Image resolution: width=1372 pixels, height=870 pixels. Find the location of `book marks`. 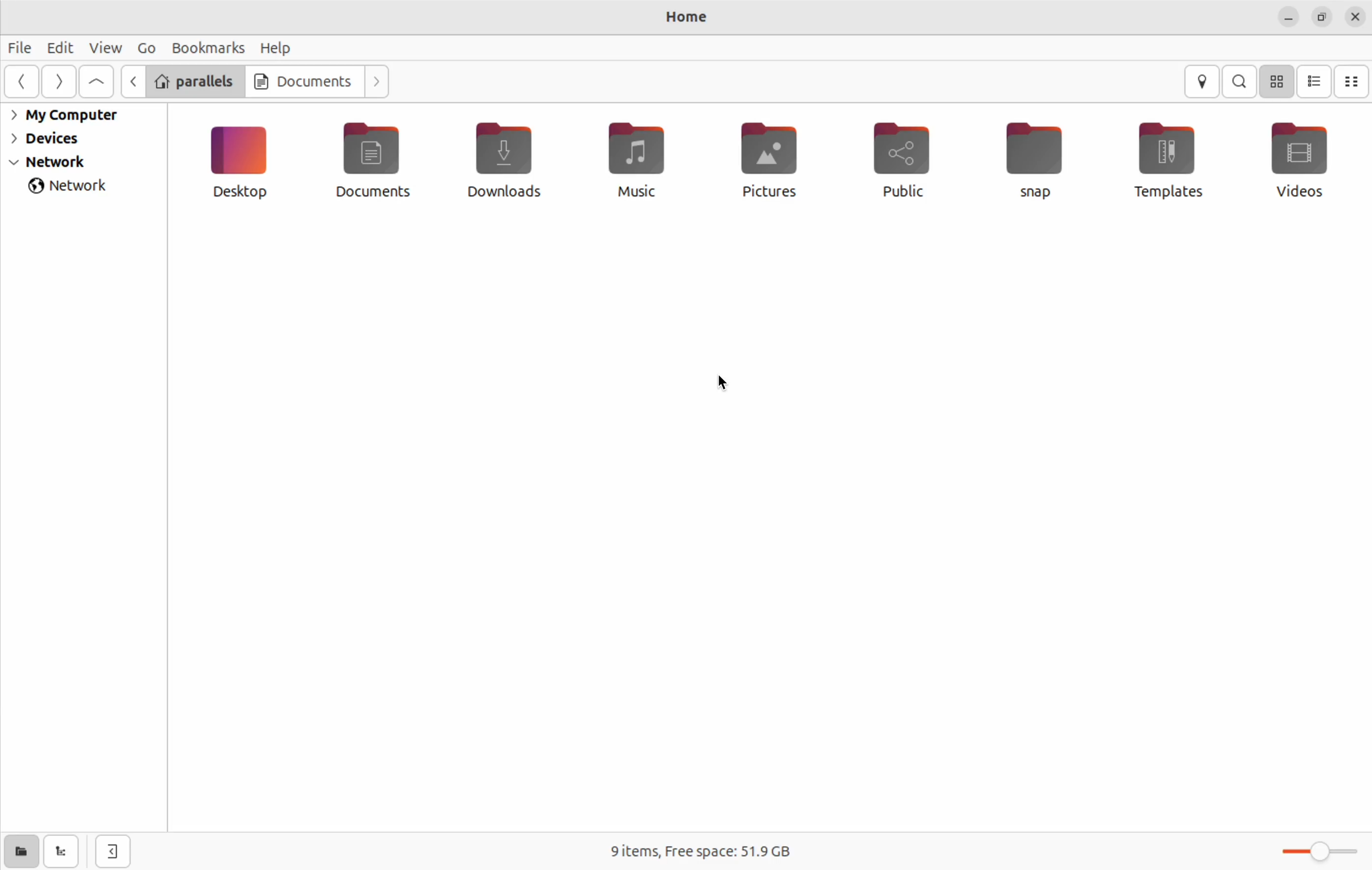

book marks is located at coordinates (205, 48).